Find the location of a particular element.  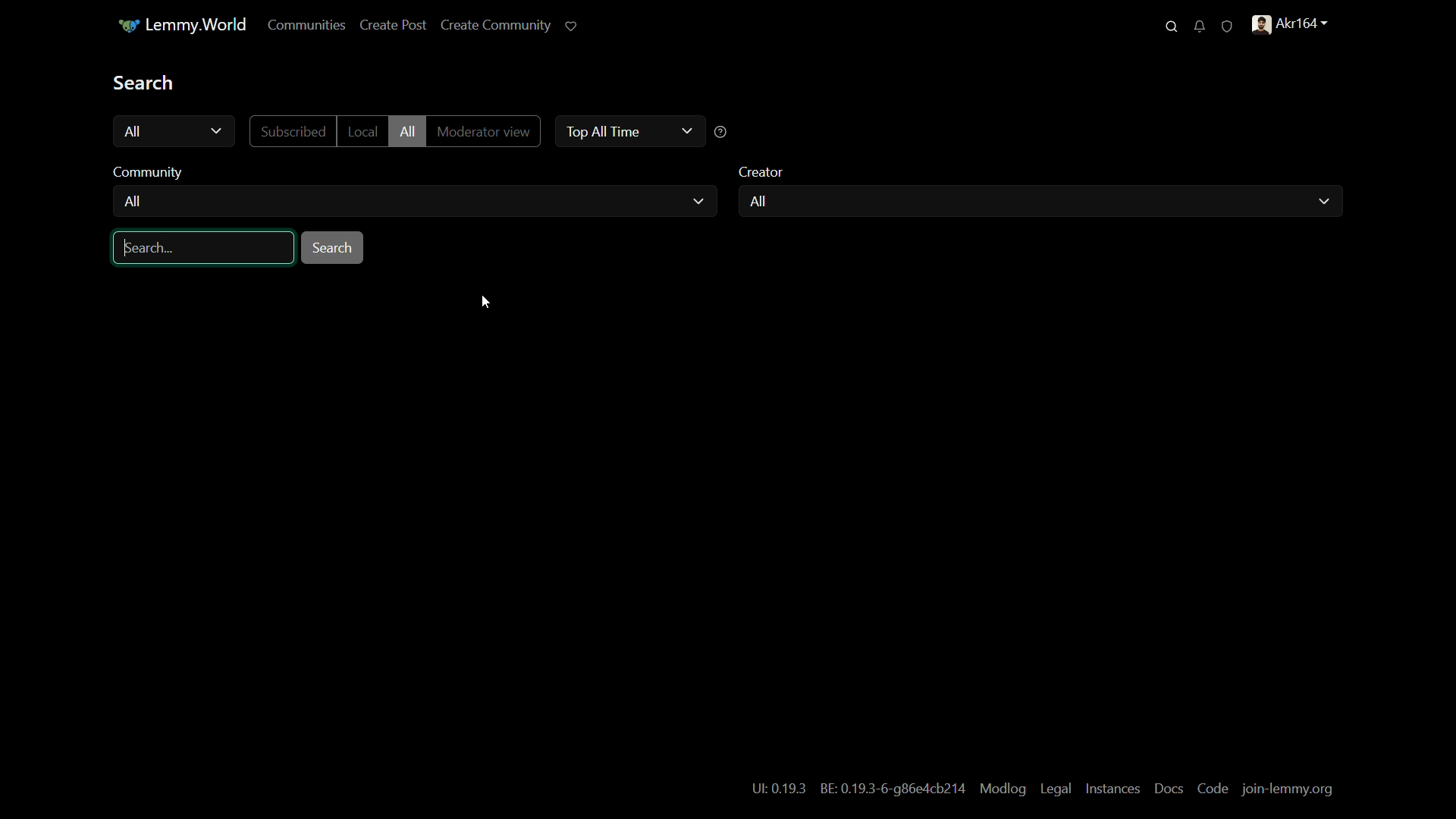

all is located at coordinates (406, 132).